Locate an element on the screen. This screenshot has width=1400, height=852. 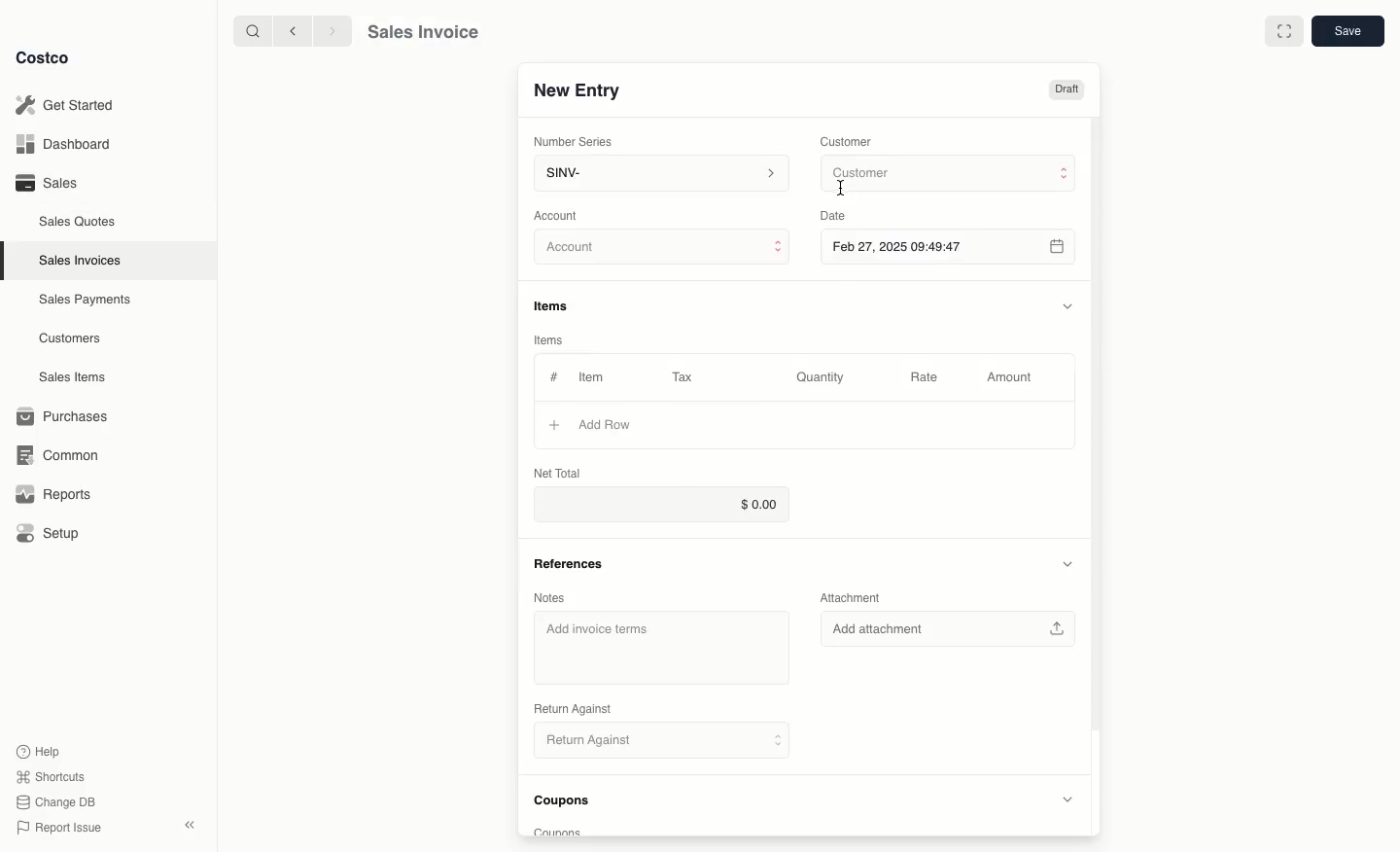
Items is located at coordinates (556, 341).